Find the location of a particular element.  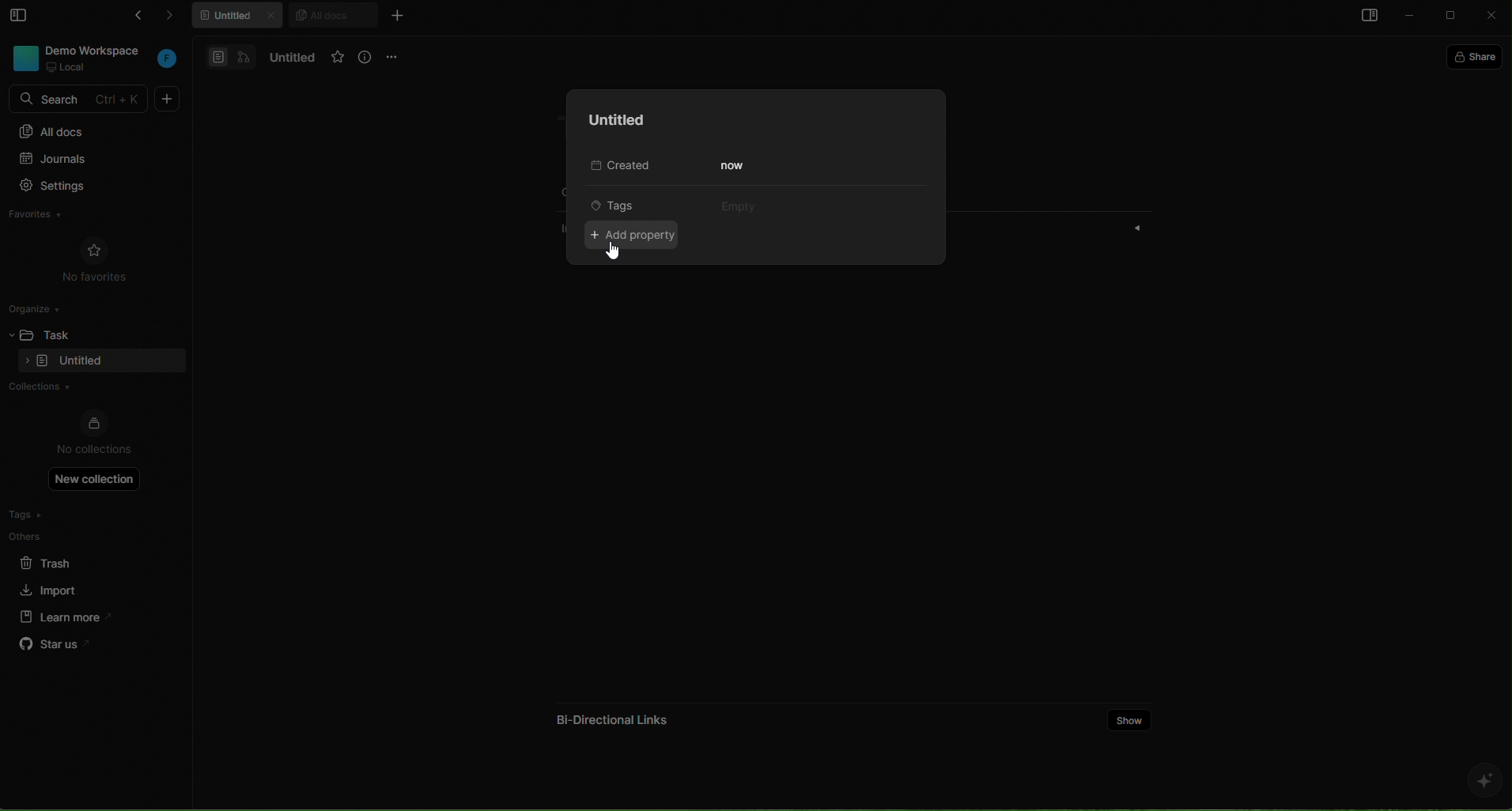

all docs is located at coordinates (93, 130).